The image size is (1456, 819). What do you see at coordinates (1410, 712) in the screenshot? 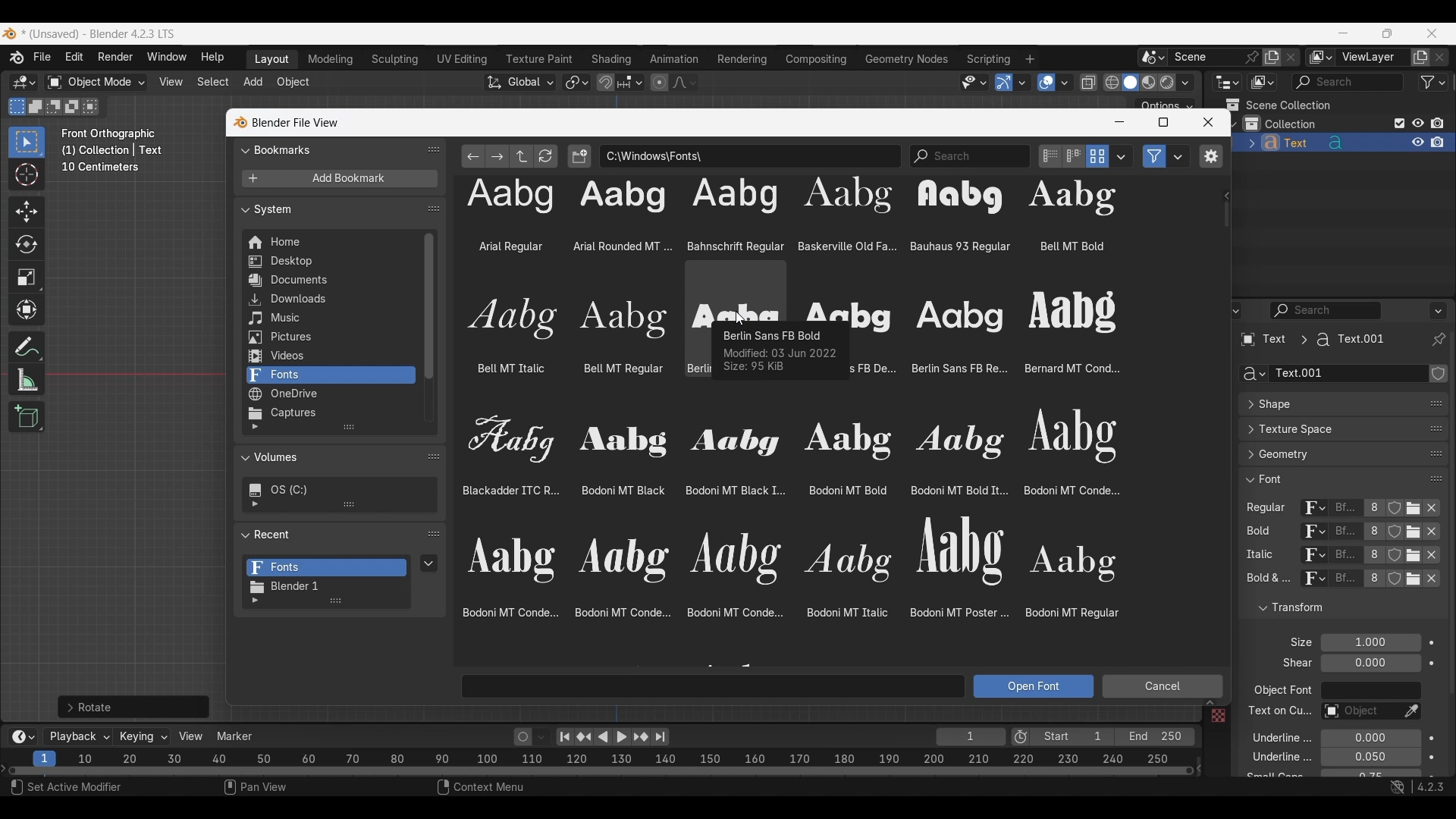
I see `Eyedropper data-block` at bounding box center [1410, 712].